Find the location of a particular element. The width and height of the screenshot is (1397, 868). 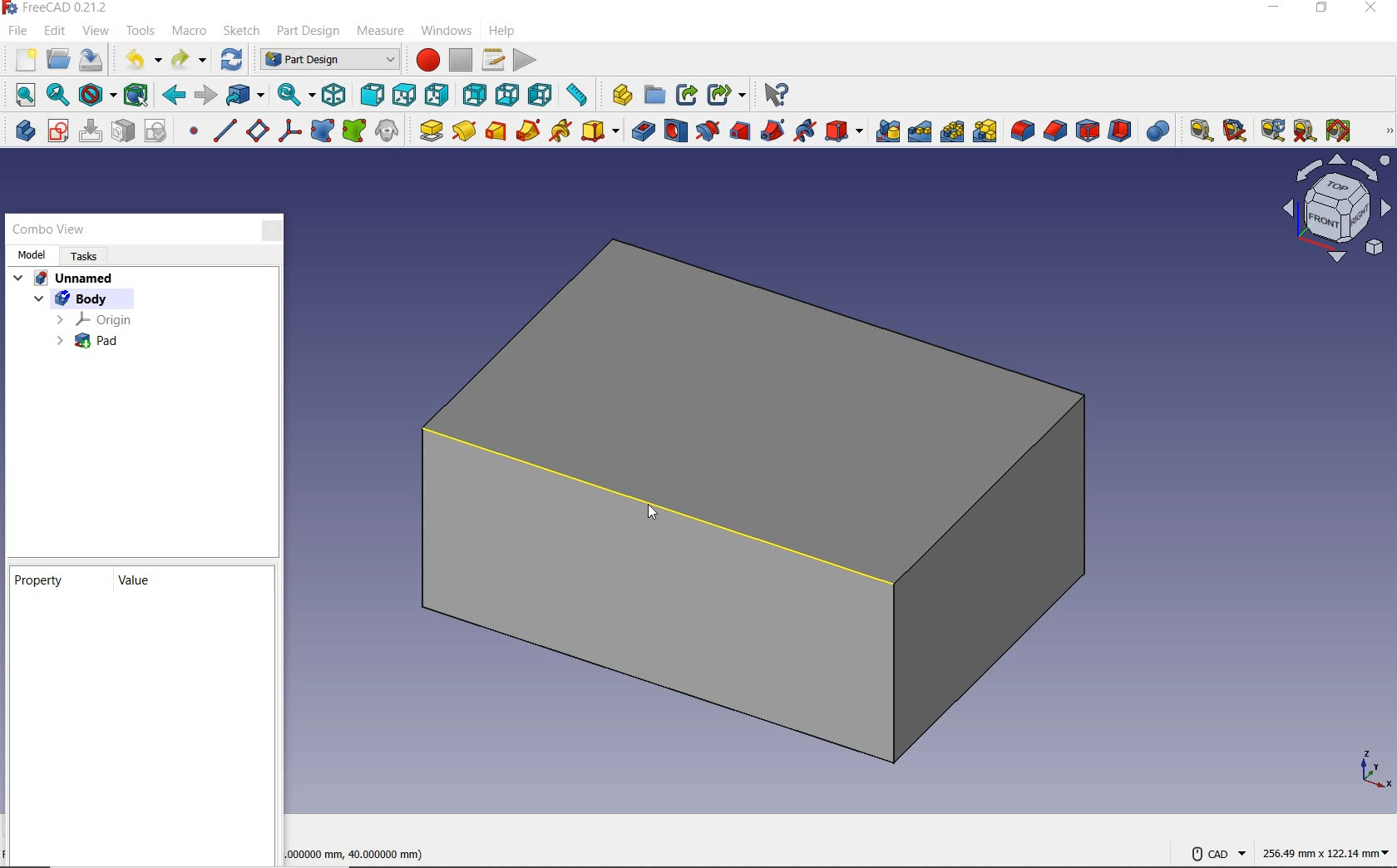

tools is located at coordinates (142, 31).